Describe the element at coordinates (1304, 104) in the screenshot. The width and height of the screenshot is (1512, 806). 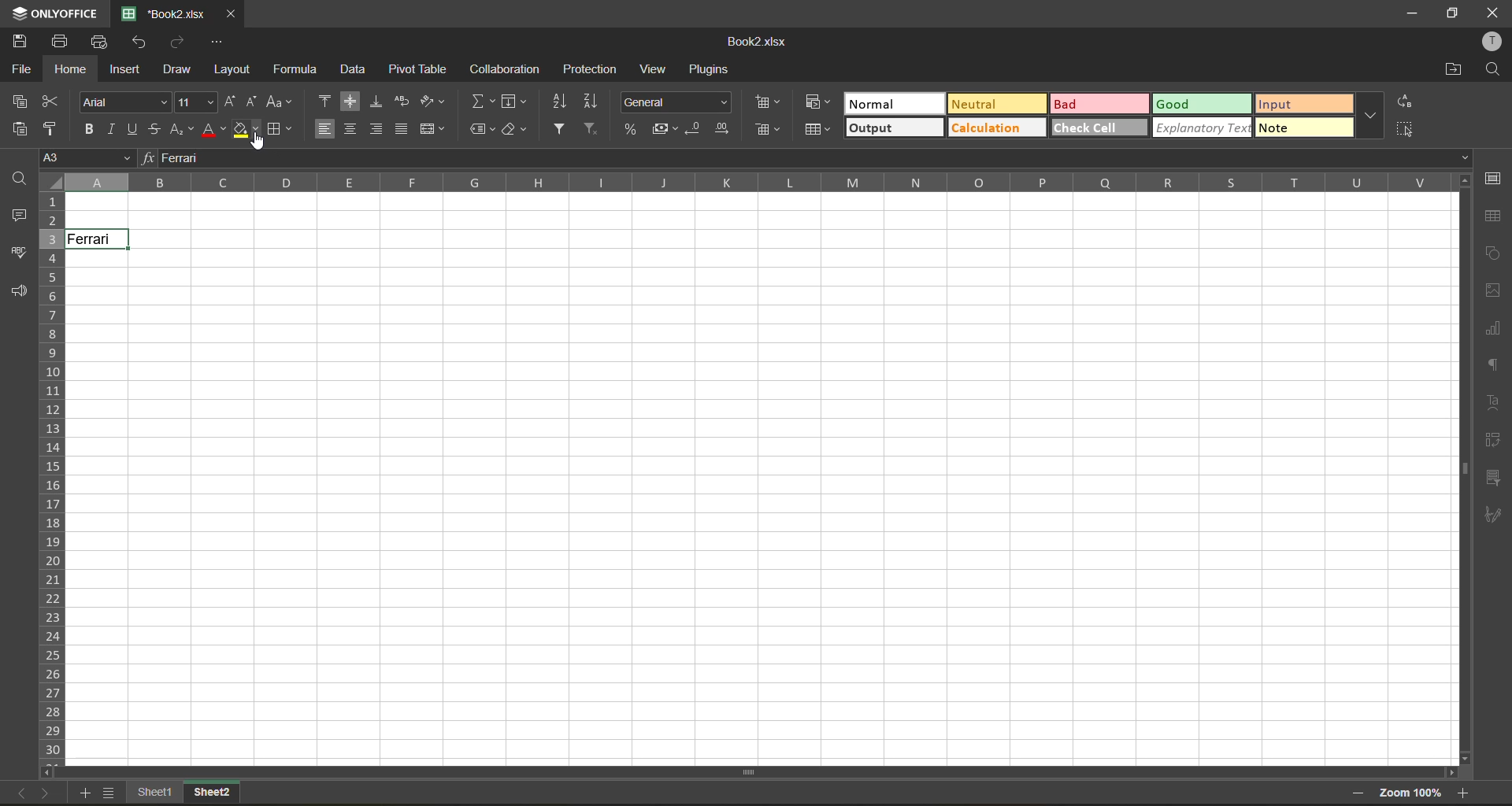
I see `input` at that location.